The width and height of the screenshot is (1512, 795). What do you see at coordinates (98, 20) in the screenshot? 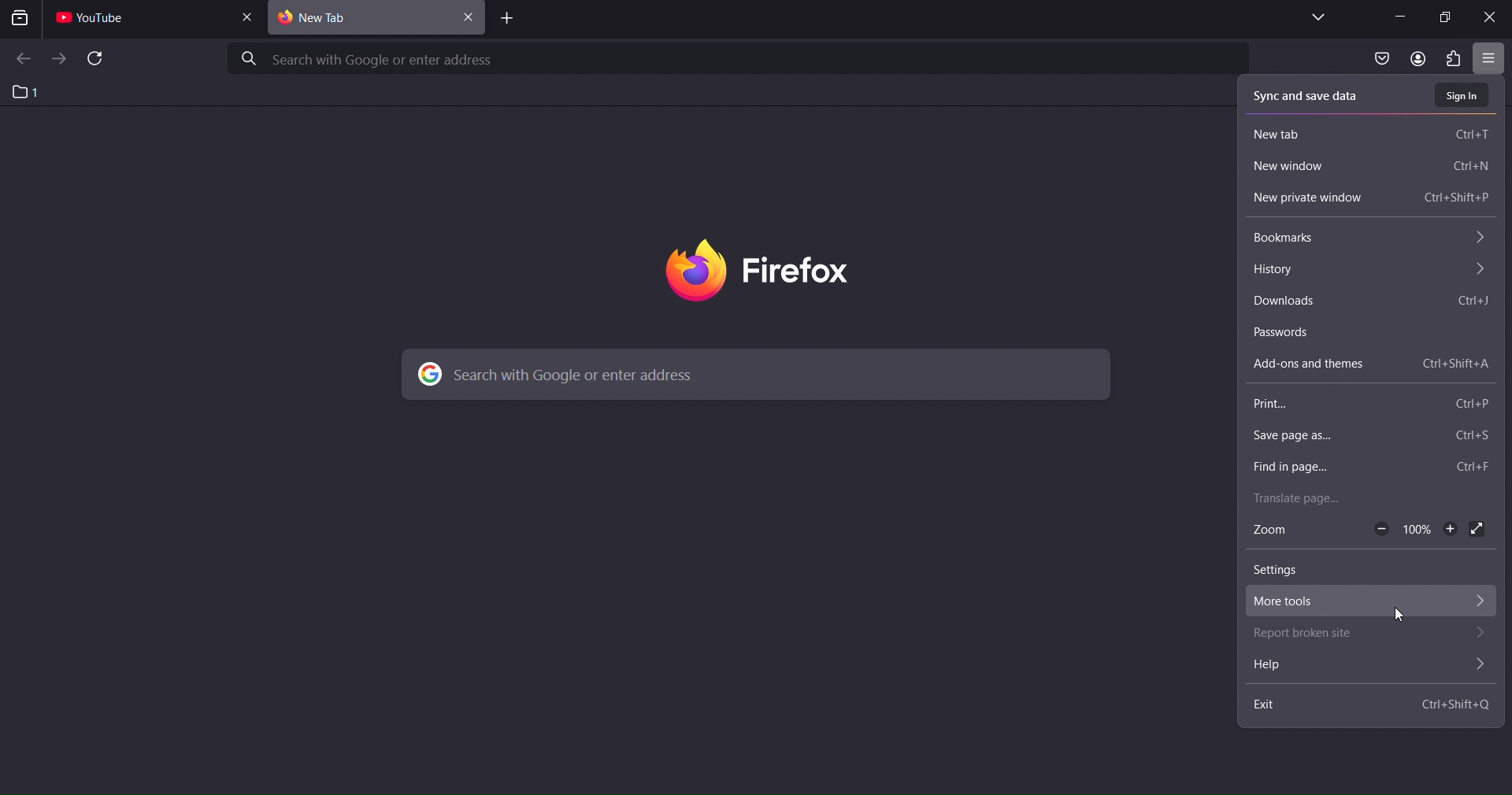
I see `youtube` at bounding box center [98, 20].